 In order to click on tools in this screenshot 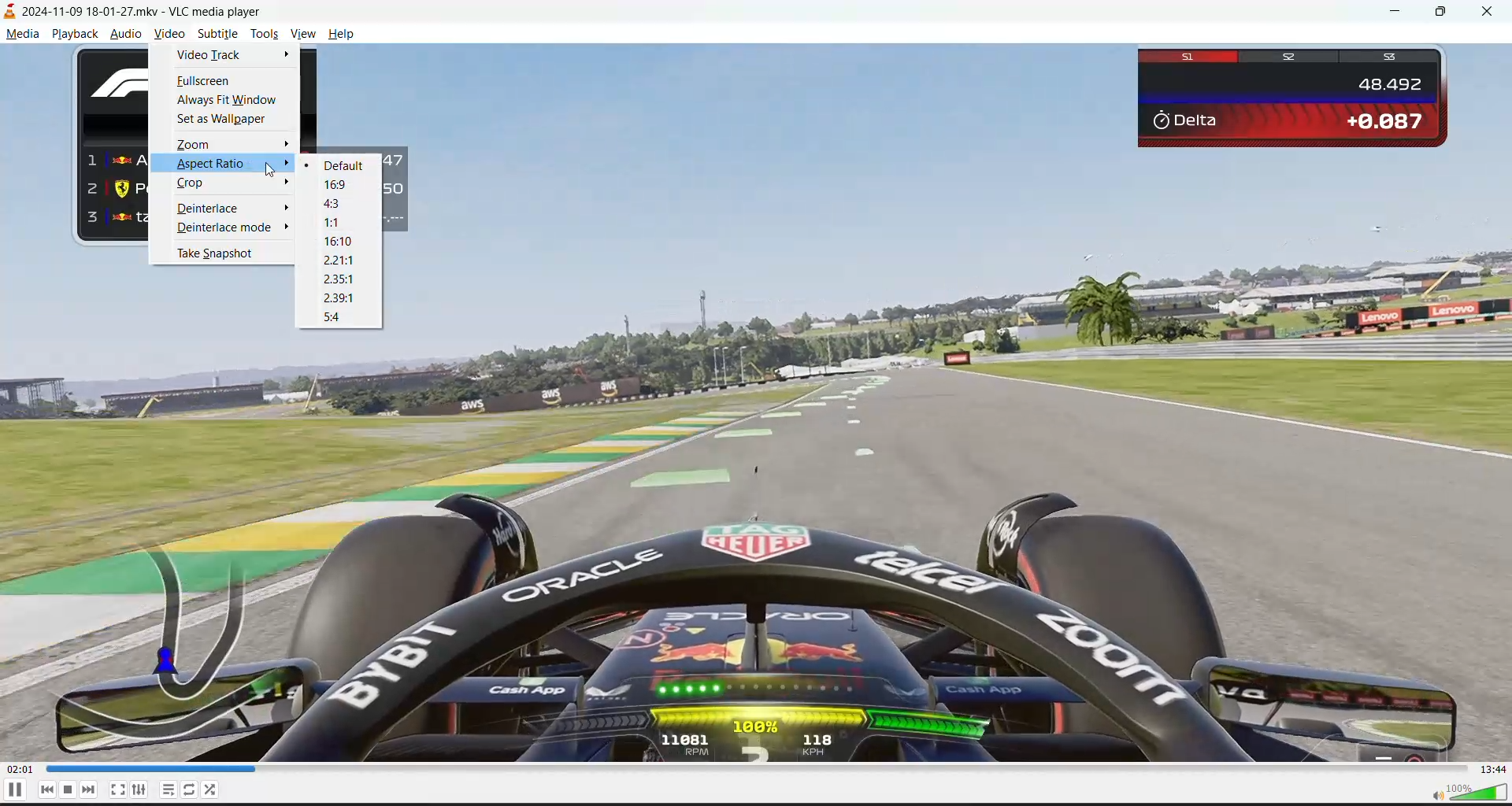, I will do `click(267, 35)`.